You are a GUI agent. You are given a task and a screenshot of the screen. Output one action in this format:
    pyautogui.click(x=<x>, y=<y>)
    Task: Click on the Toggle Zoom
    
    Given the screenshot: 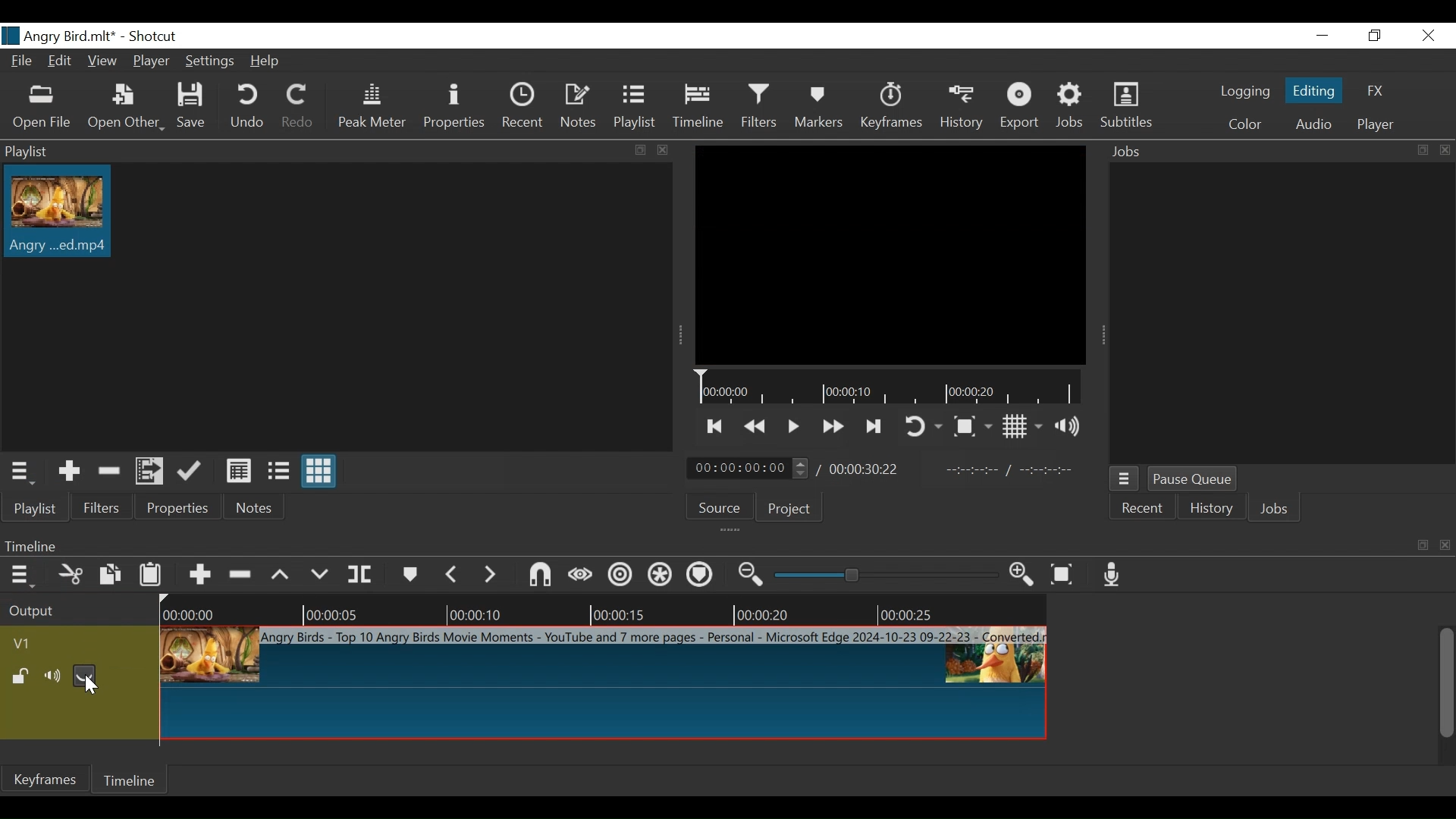 What is the action you would take?
    pyautogui.click(x=971, y=425)
    